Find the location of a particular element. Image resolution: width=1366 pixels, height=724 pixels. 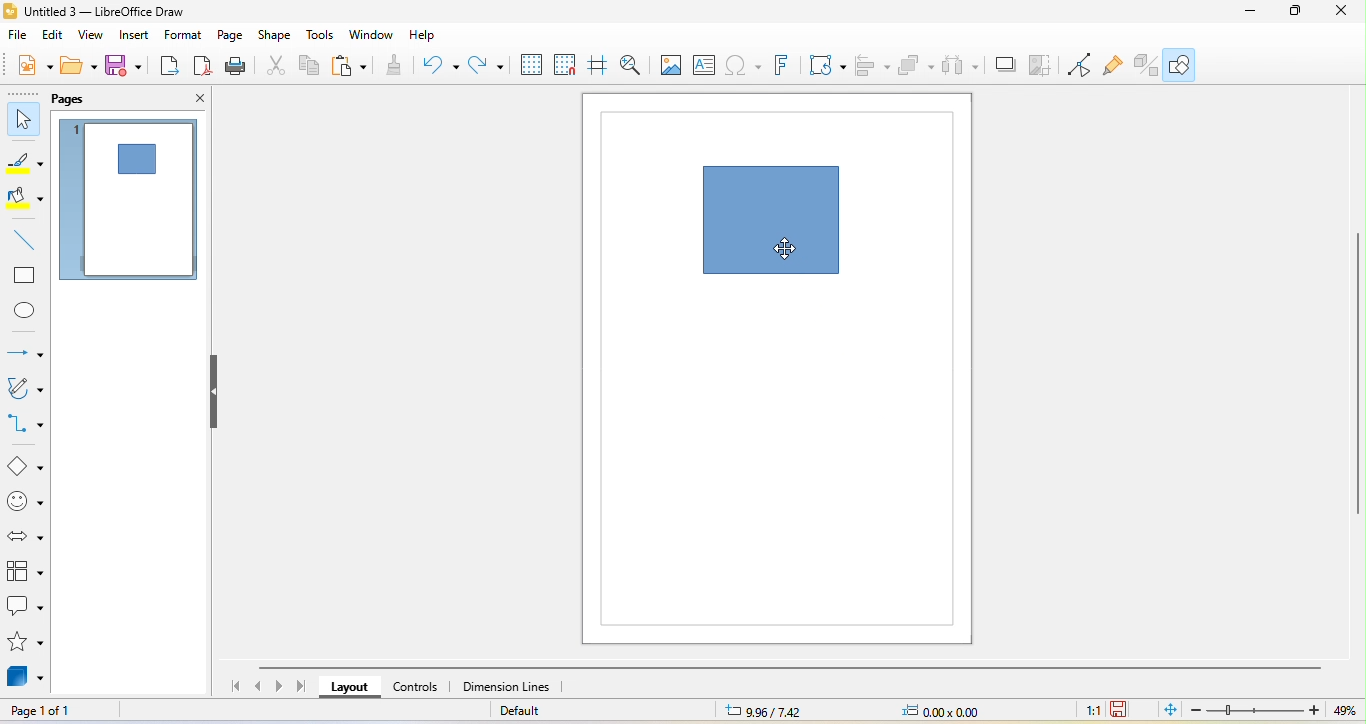

connectors is located at coordinates (26, 424).